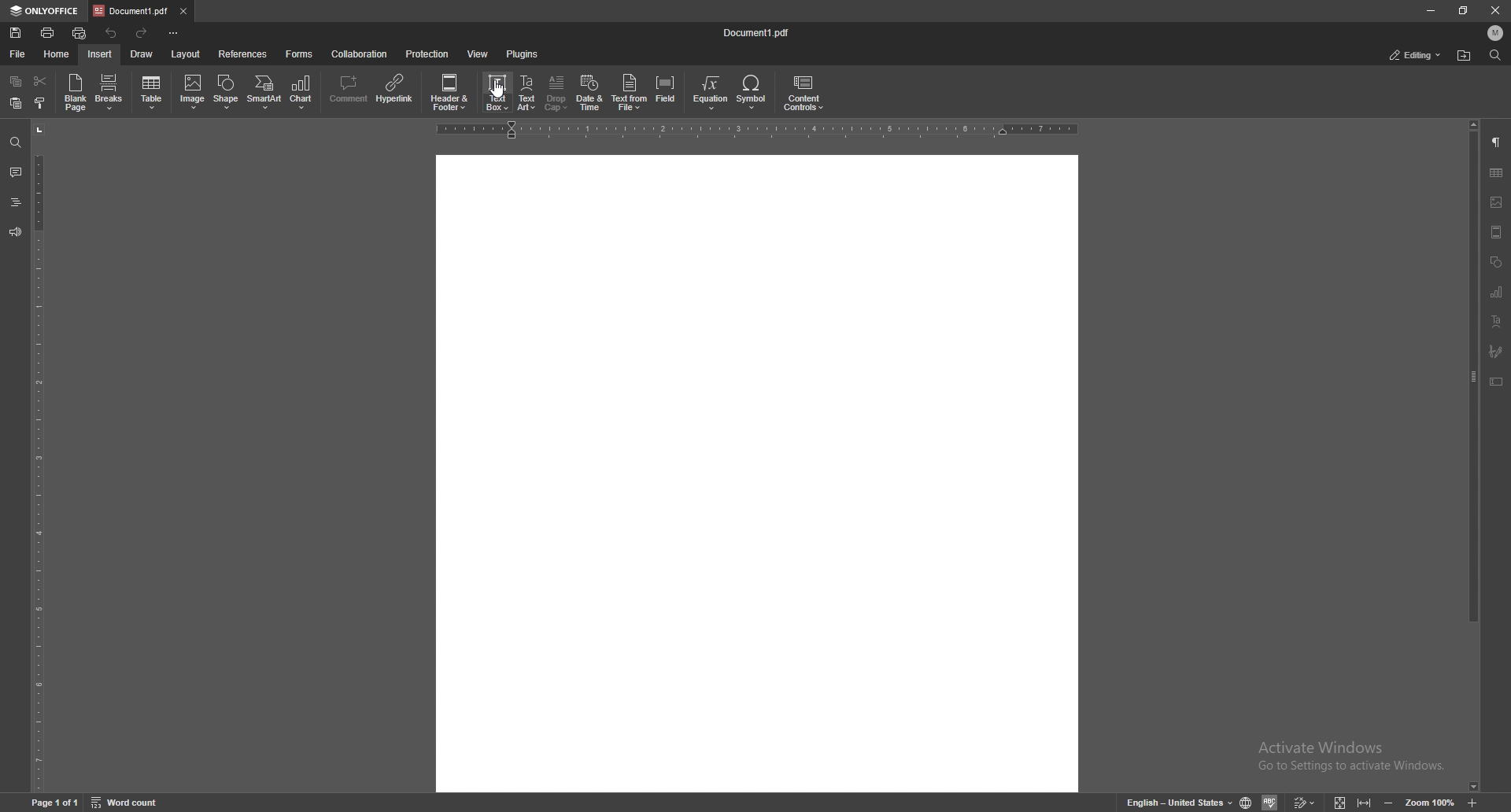 This screenshot has height=812, width=1511. Describe the element at coordinates (758, 473) in the screenshot. I see `doc` at that location.